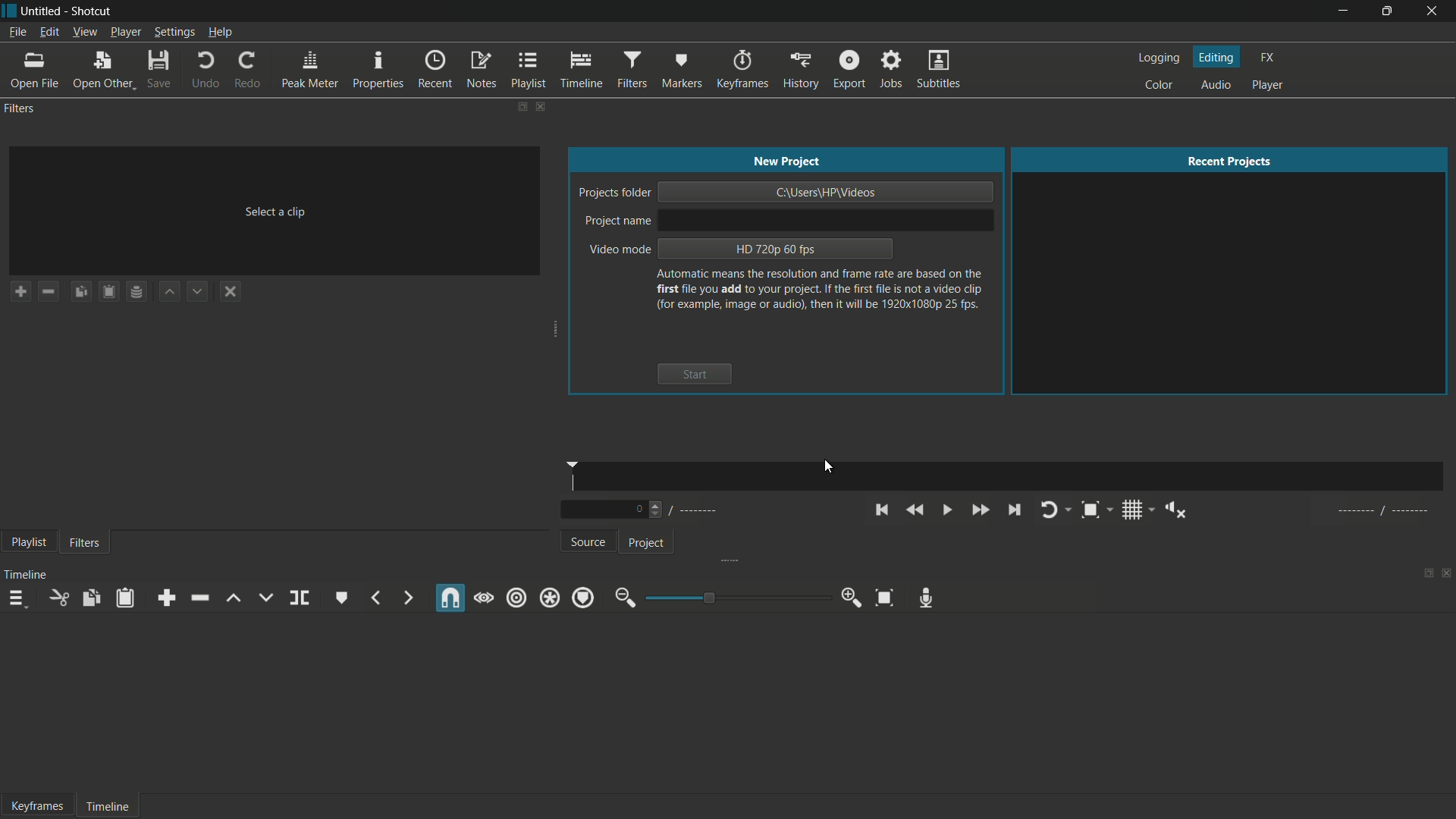 This screenshot has width=1456, height=819. Describe the element at coordinates (1132, 510) in the screenshot. I see `toggle grid` at that location.